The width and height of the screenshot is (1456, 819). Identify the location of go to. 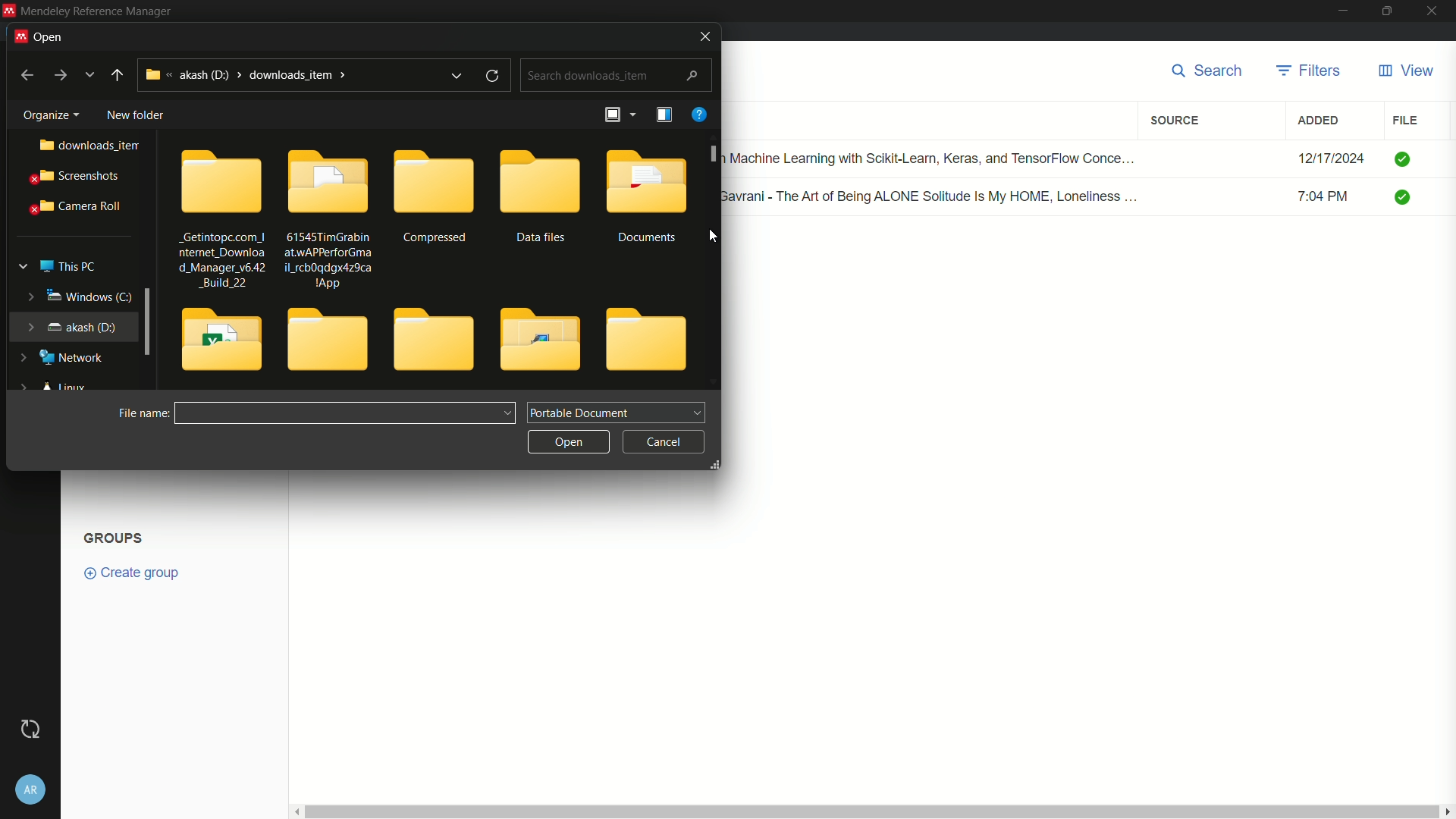
(59, 76).